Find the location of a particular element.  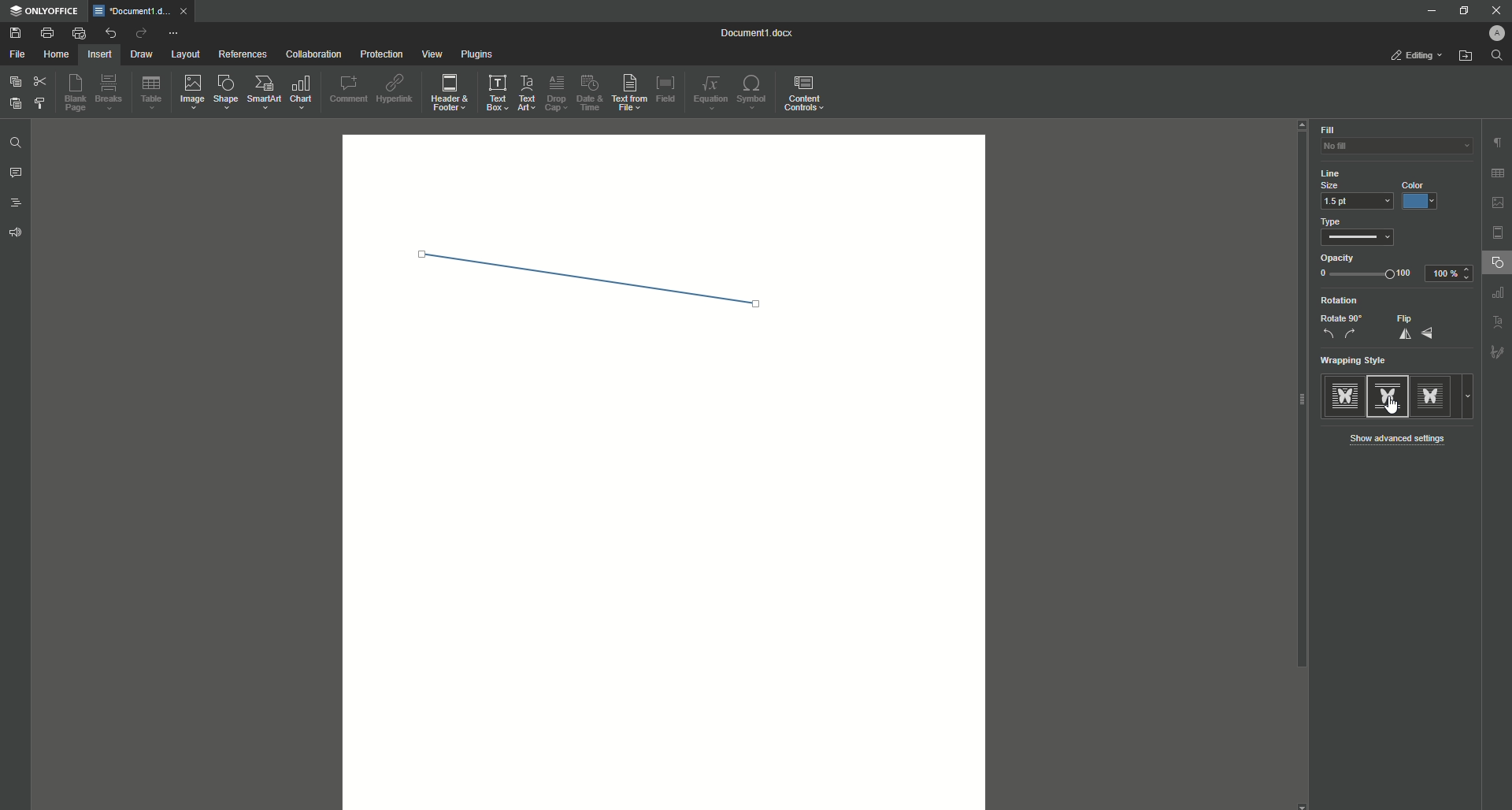

References is located at coordinates (242, 54).